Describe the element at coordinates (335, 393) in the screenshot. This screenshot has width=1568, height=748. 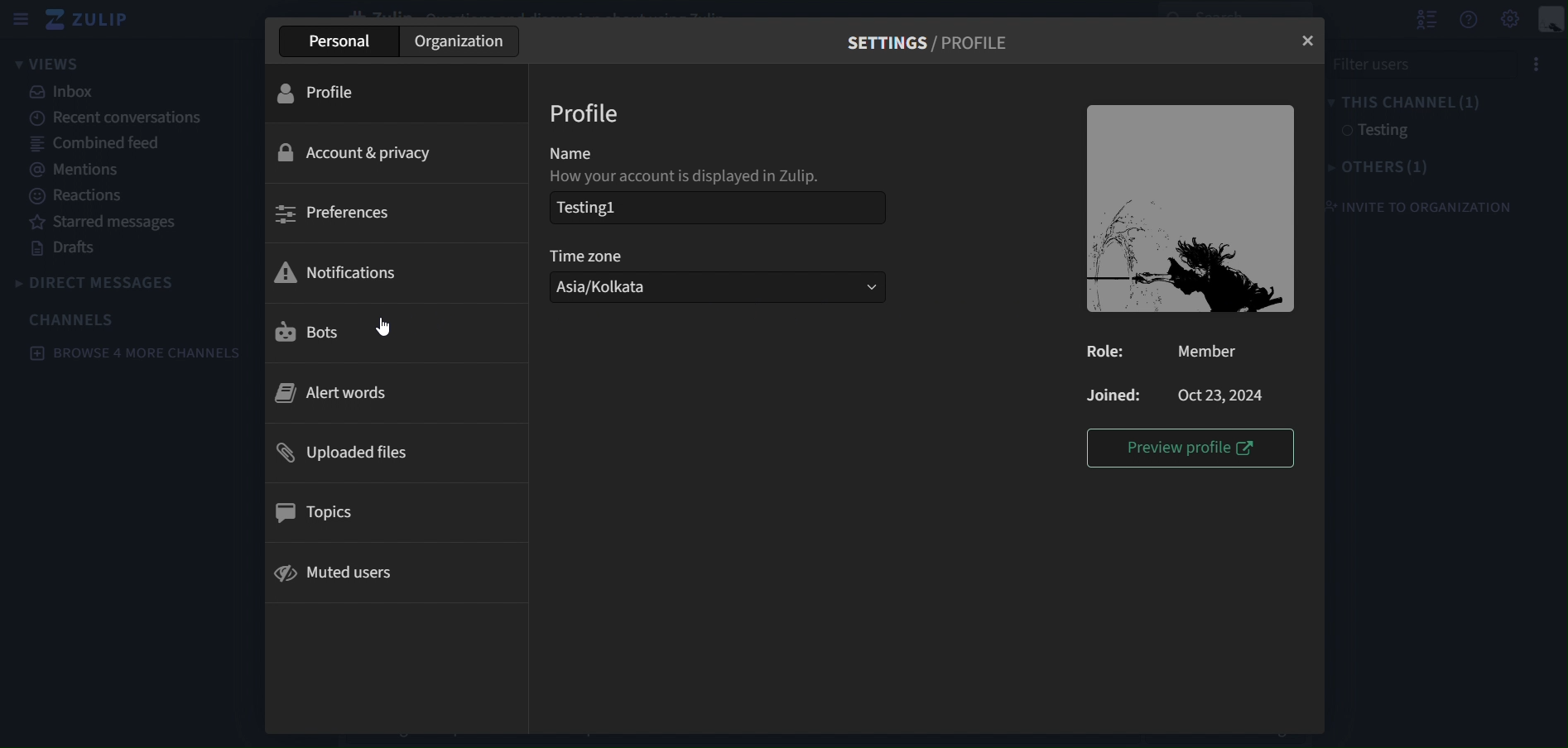
I see `alert words` at that location.